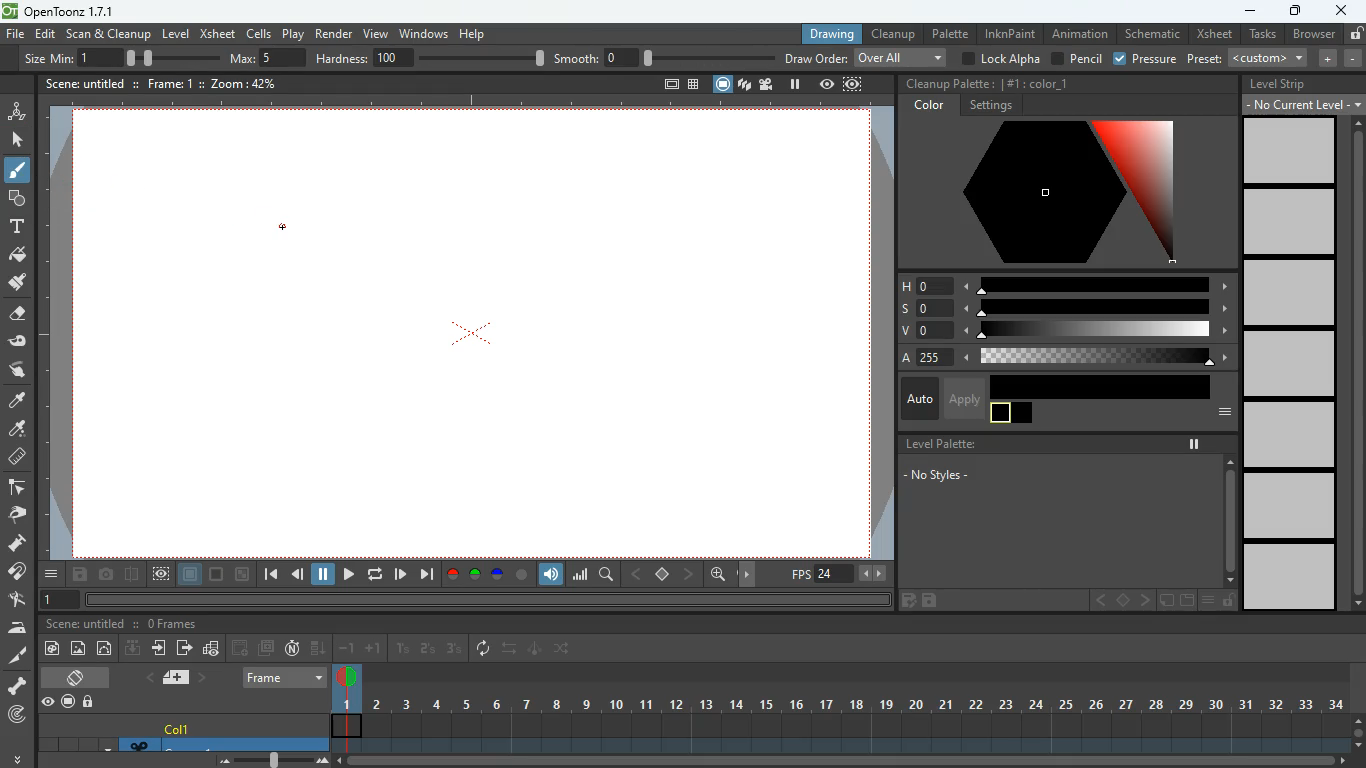 Image resolution: width=1366 pixels, height=768 pixels. What do you see at coordinates (18, 342) in the screenshot?
I see `glue` at bounding box center [18, 342].